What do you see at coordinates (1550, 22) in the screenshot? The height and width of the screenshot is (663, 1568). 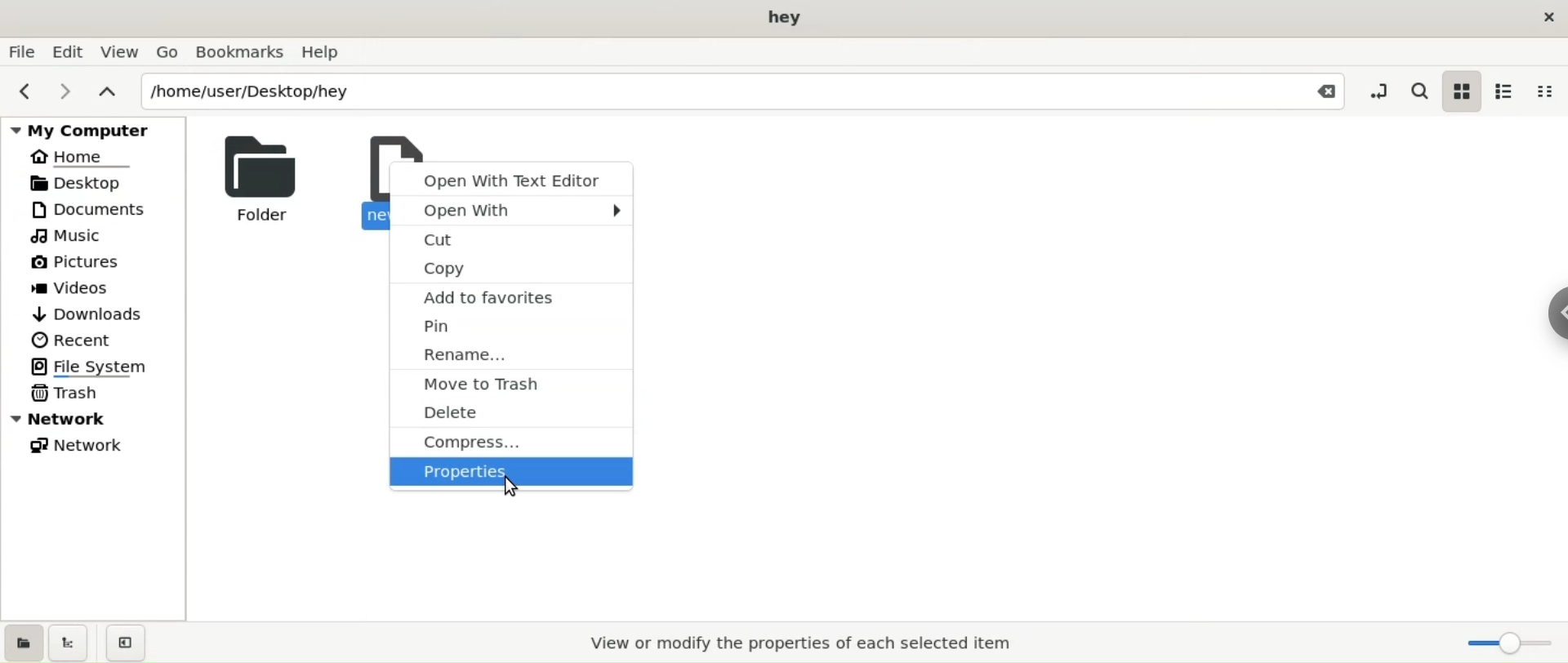 I see `close` at bounding box center [1550, 22].